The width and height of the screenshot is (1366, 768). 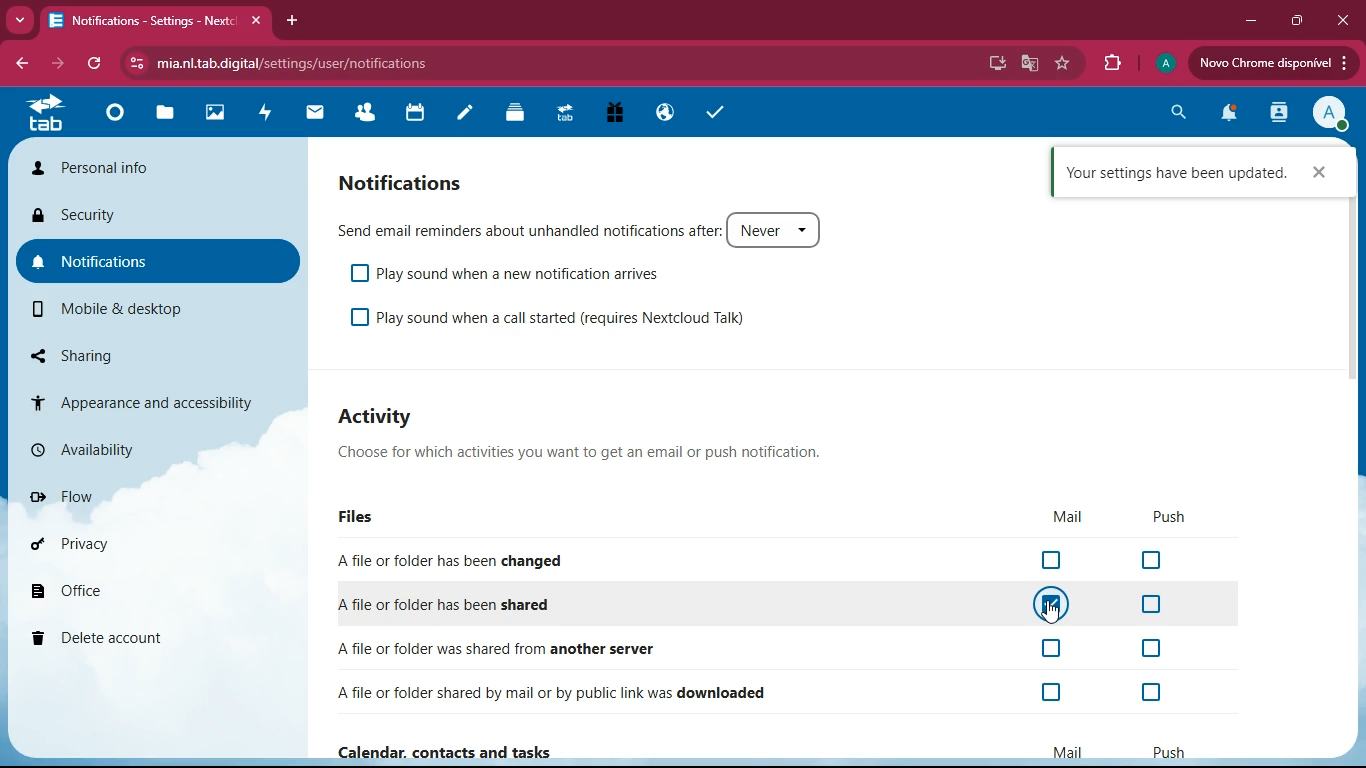 I want to click on layers, so click(x=510, y=115).